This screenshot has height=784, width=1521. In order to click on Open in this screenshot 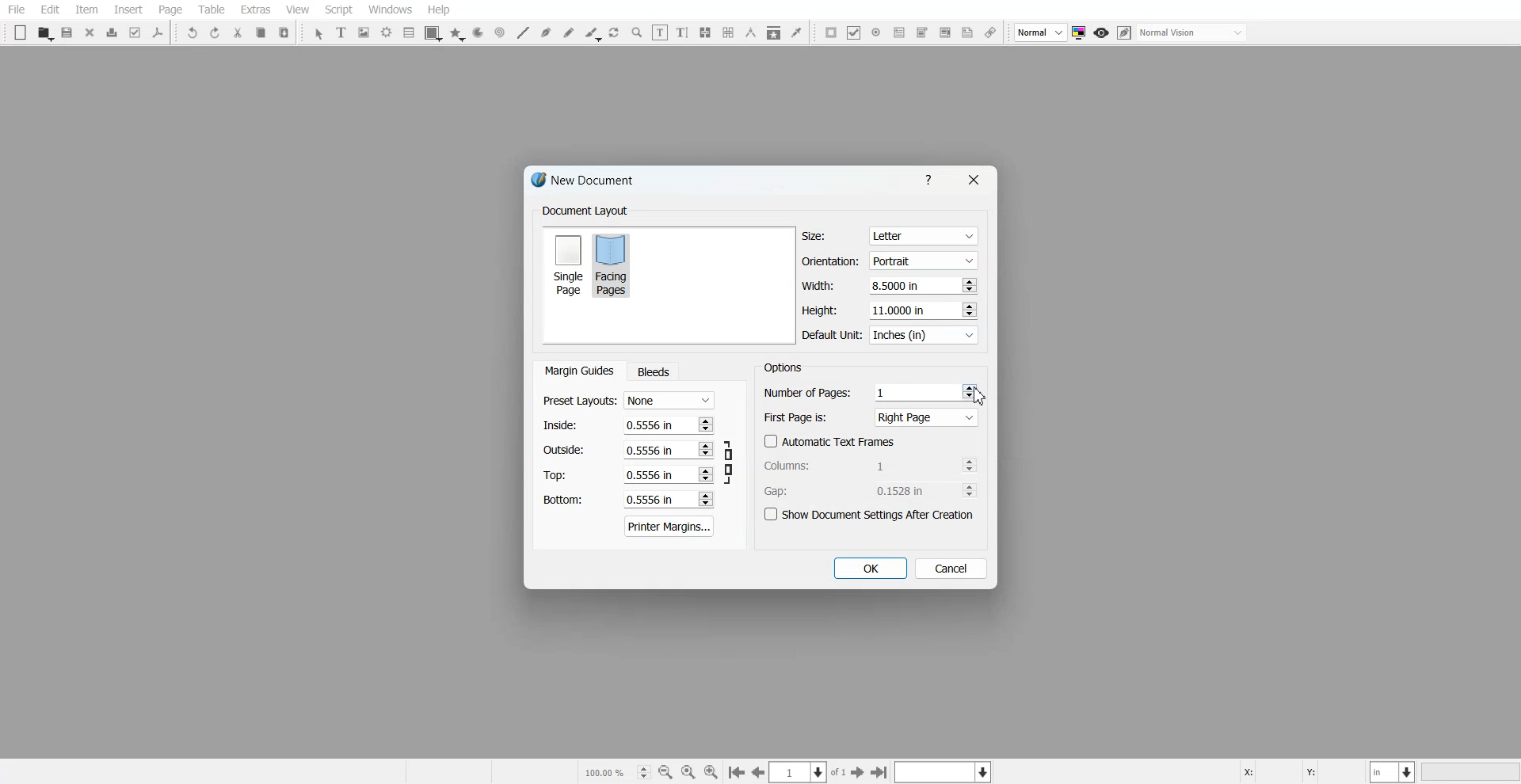, I will do `click(44, 33)`.